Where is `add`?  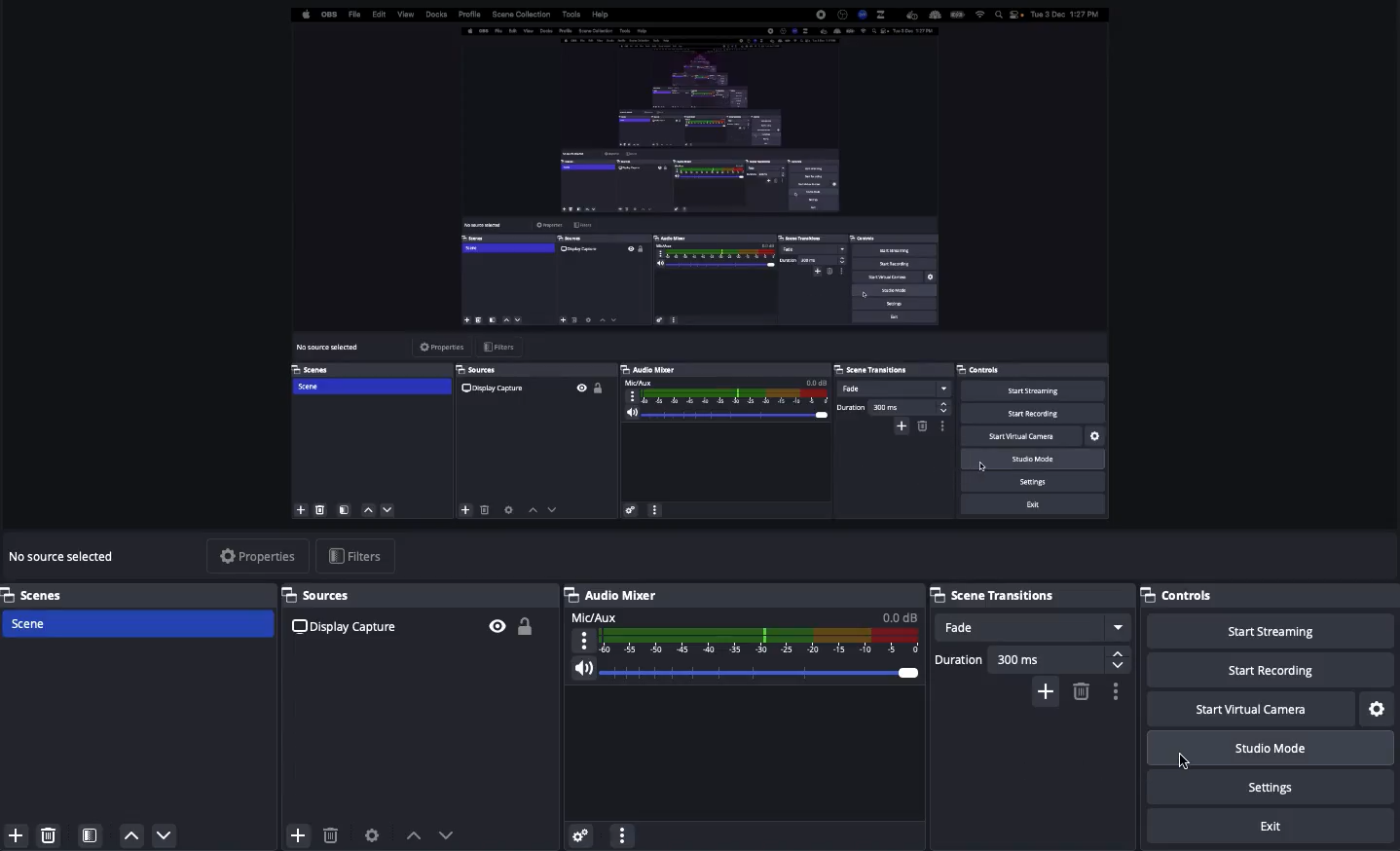
add is located at coordinates (296, 834).